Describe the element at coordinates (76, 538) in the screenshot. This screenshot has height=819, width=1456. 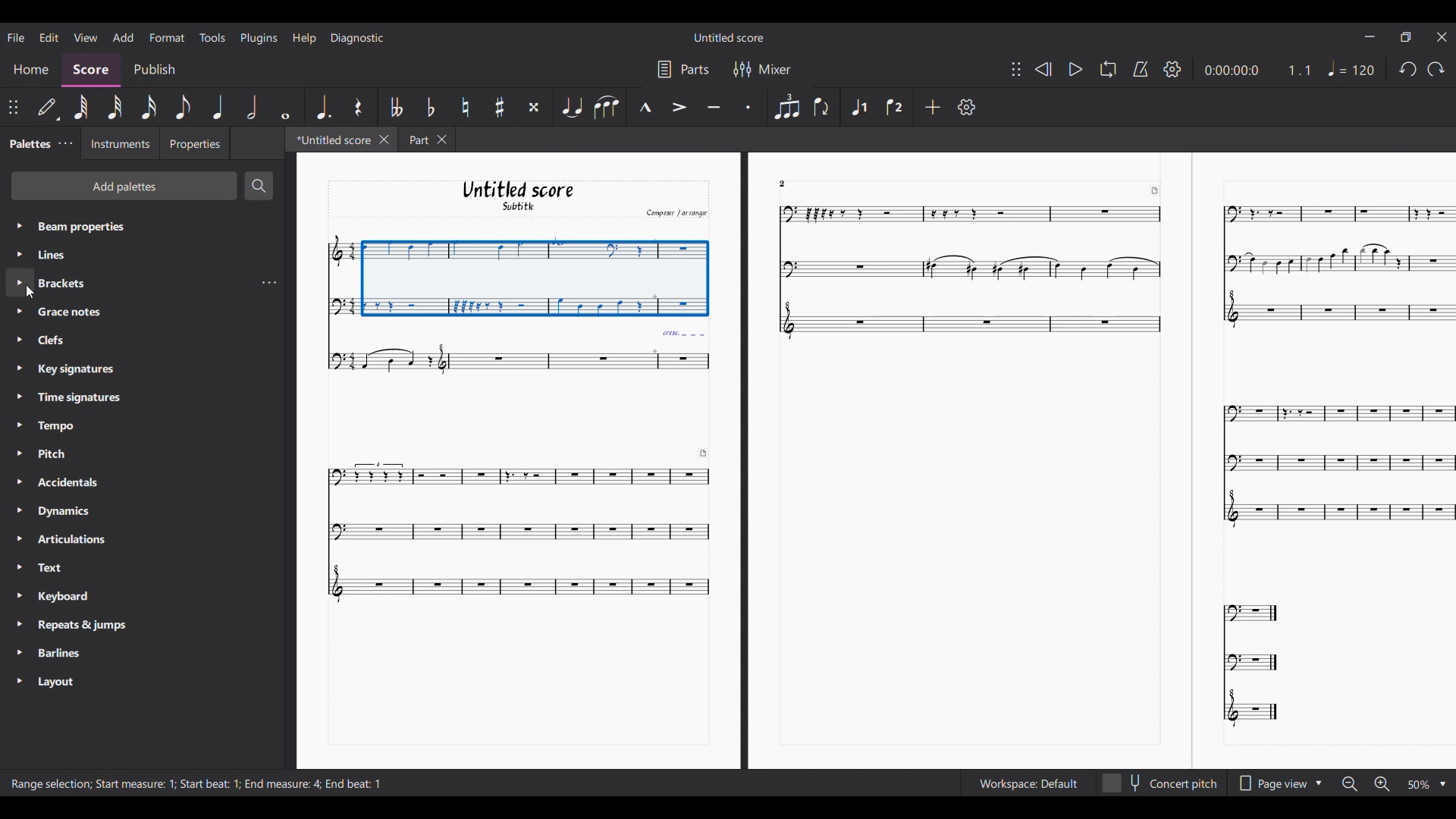
I see `Articulations` at that location.